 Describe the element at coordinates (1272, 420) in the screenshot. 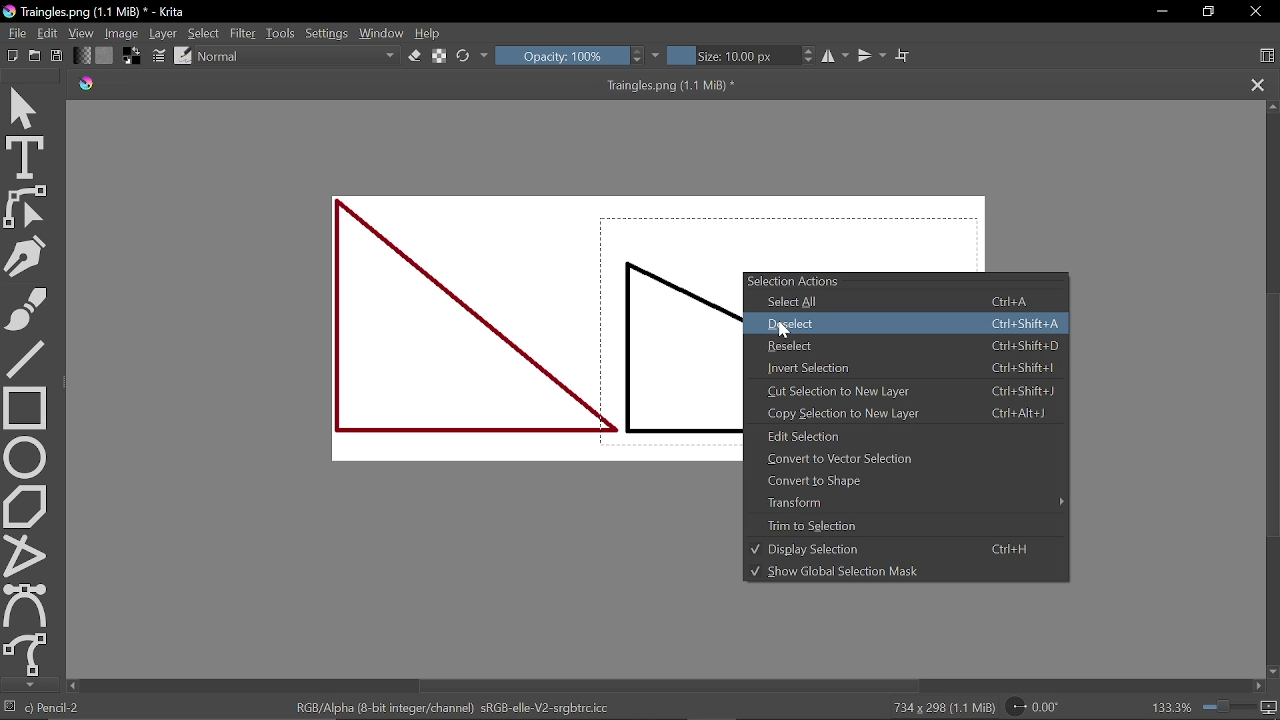

I see `Vertical scrollbar` at that location.